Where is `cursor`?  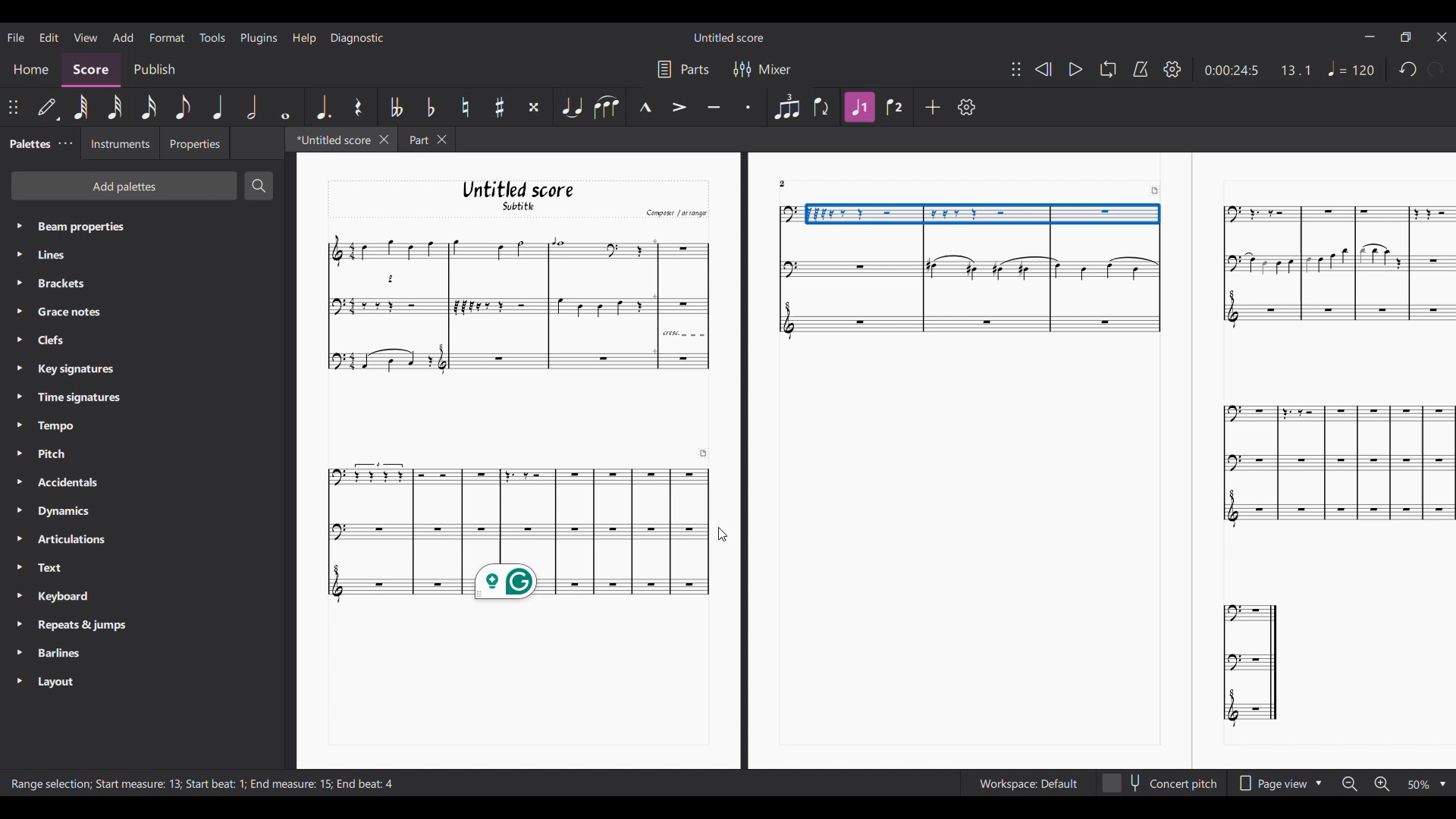
cursor is located at coordinates (724, 536).